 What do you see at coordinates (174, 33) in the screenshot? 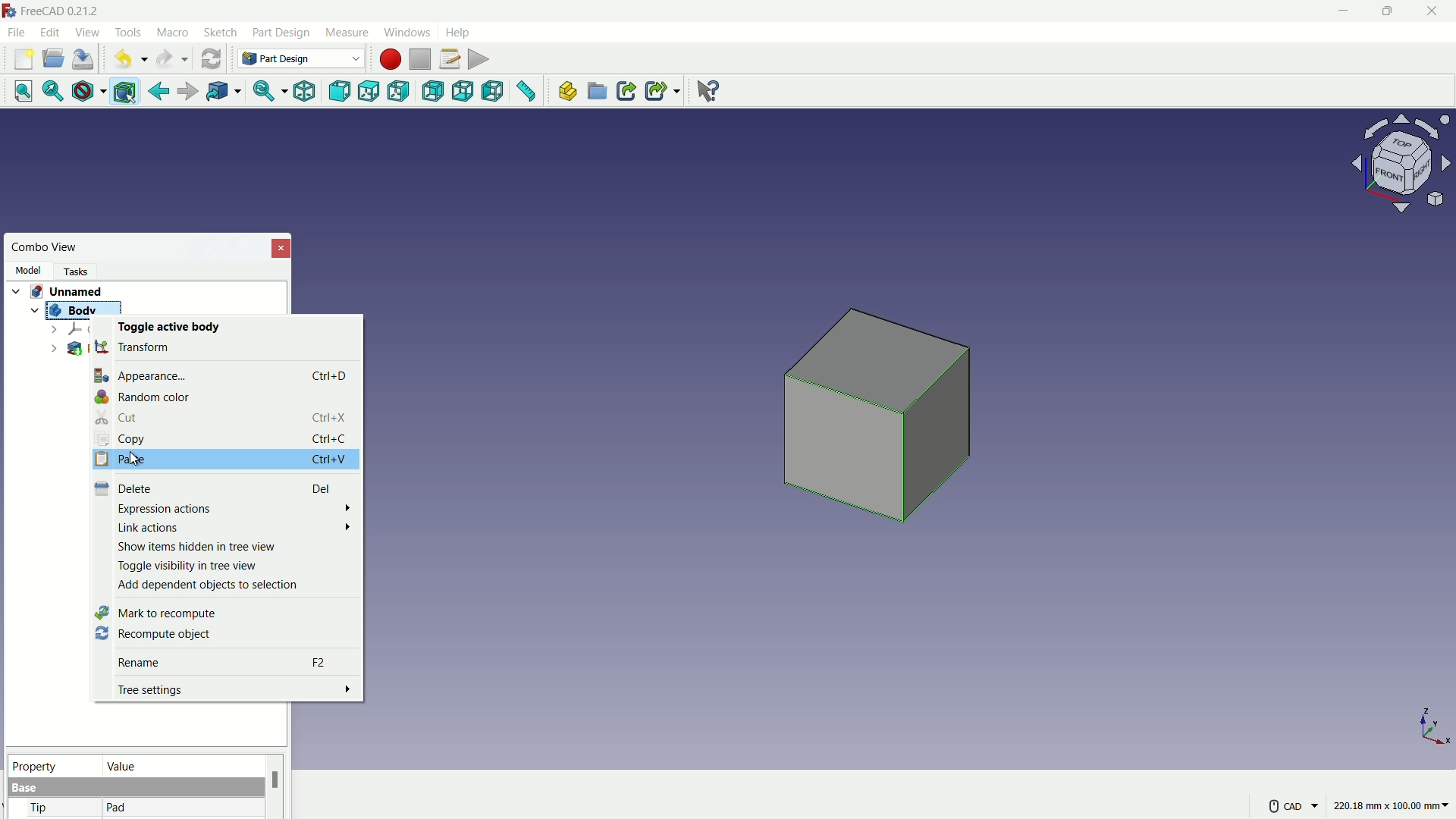
I see `macro` at bounding box center [174, 33].